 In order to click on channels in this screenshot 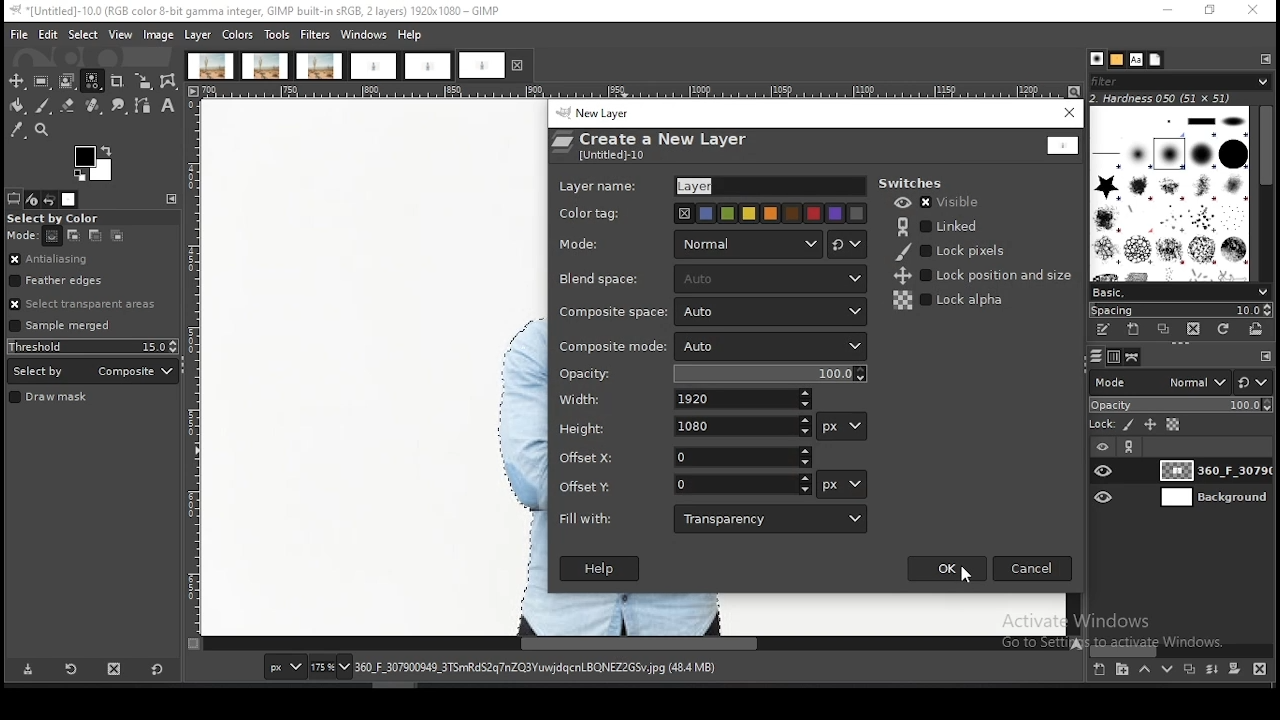, I will do `click(1116, 357)`.